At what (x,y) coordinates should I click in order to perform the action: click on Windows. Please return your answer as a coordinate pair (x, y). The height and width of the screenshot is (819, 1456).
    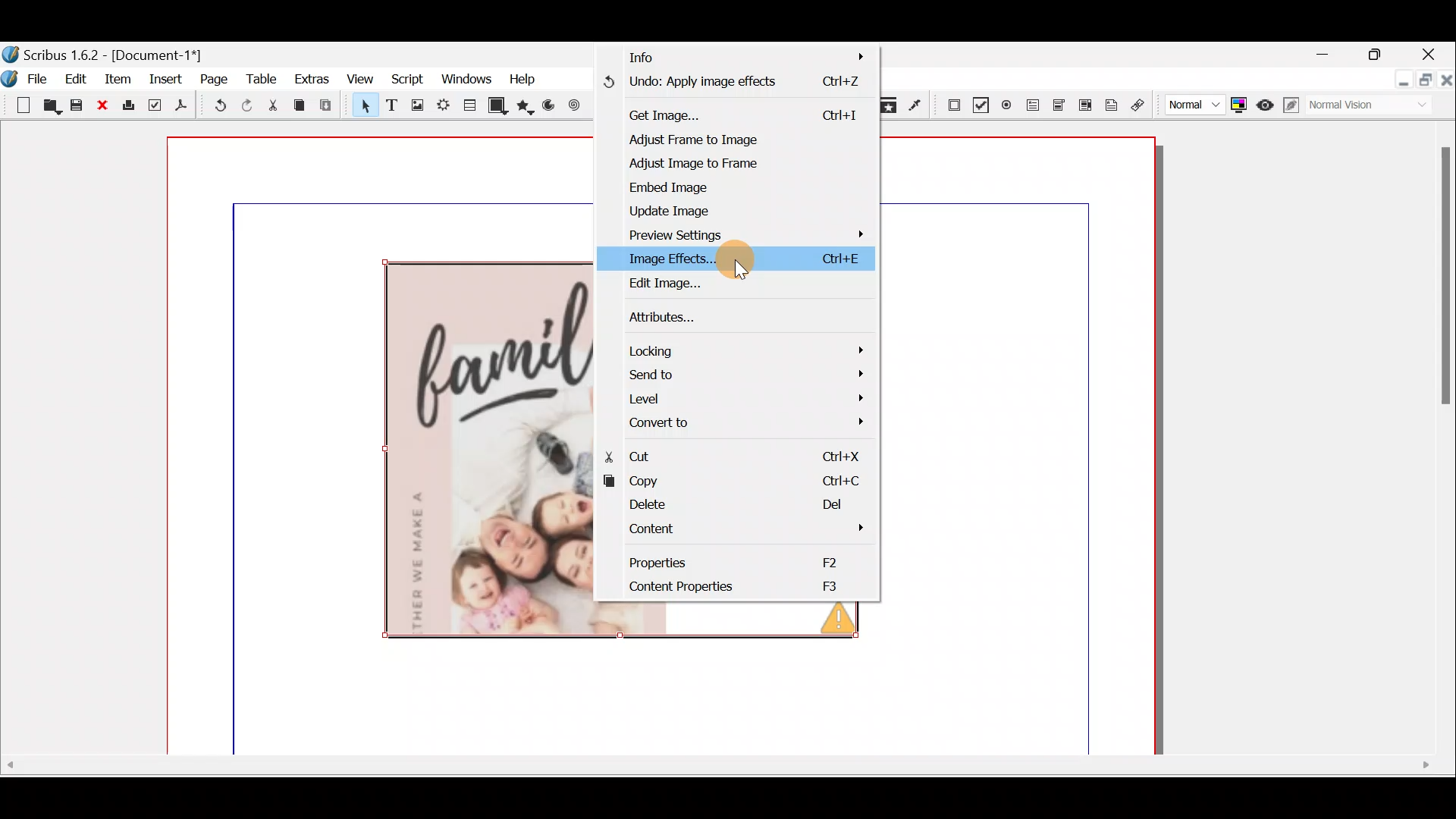
    Looking at the image, I should click on (468, 79).